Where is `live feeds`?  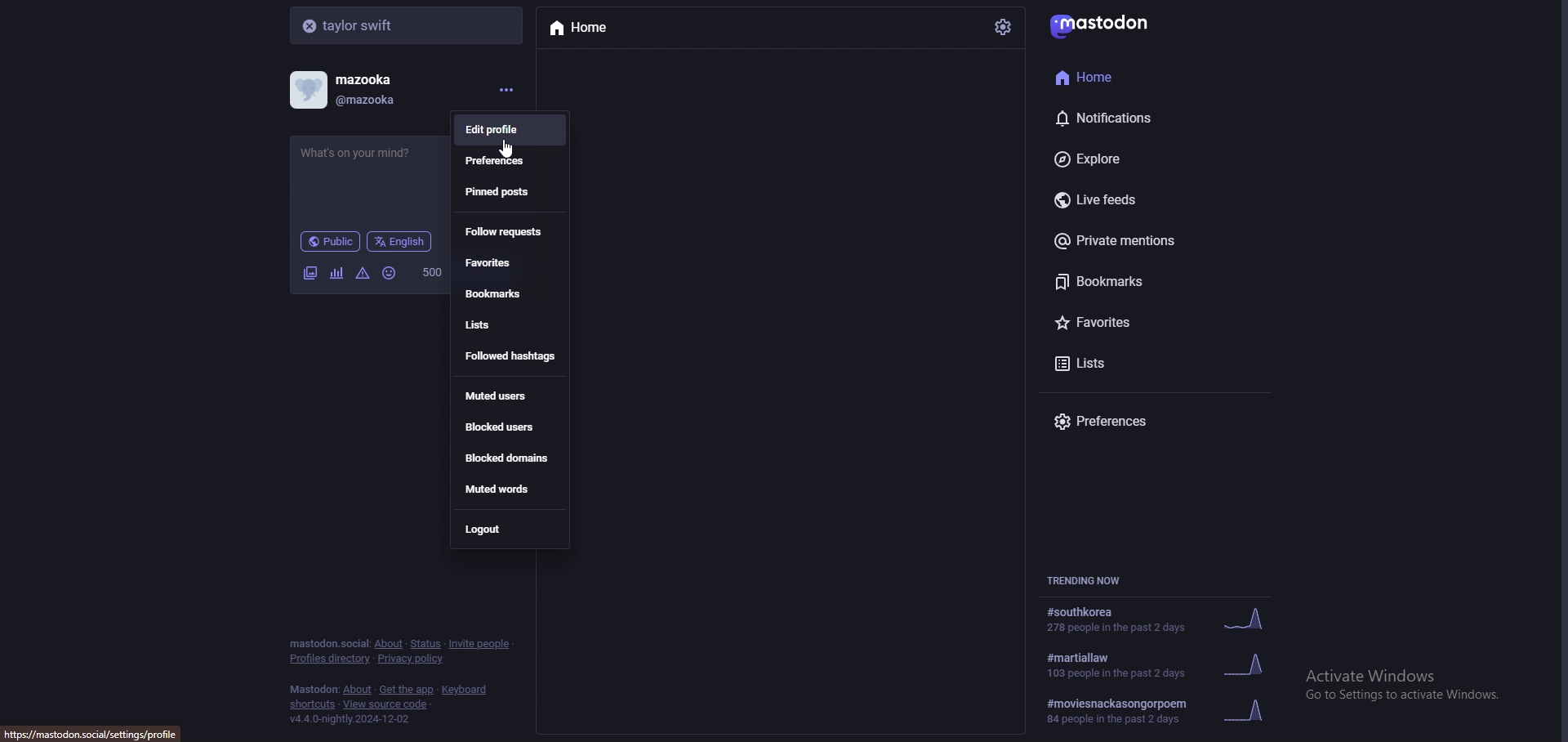
live feeds is located at coordinates (1143, 199).